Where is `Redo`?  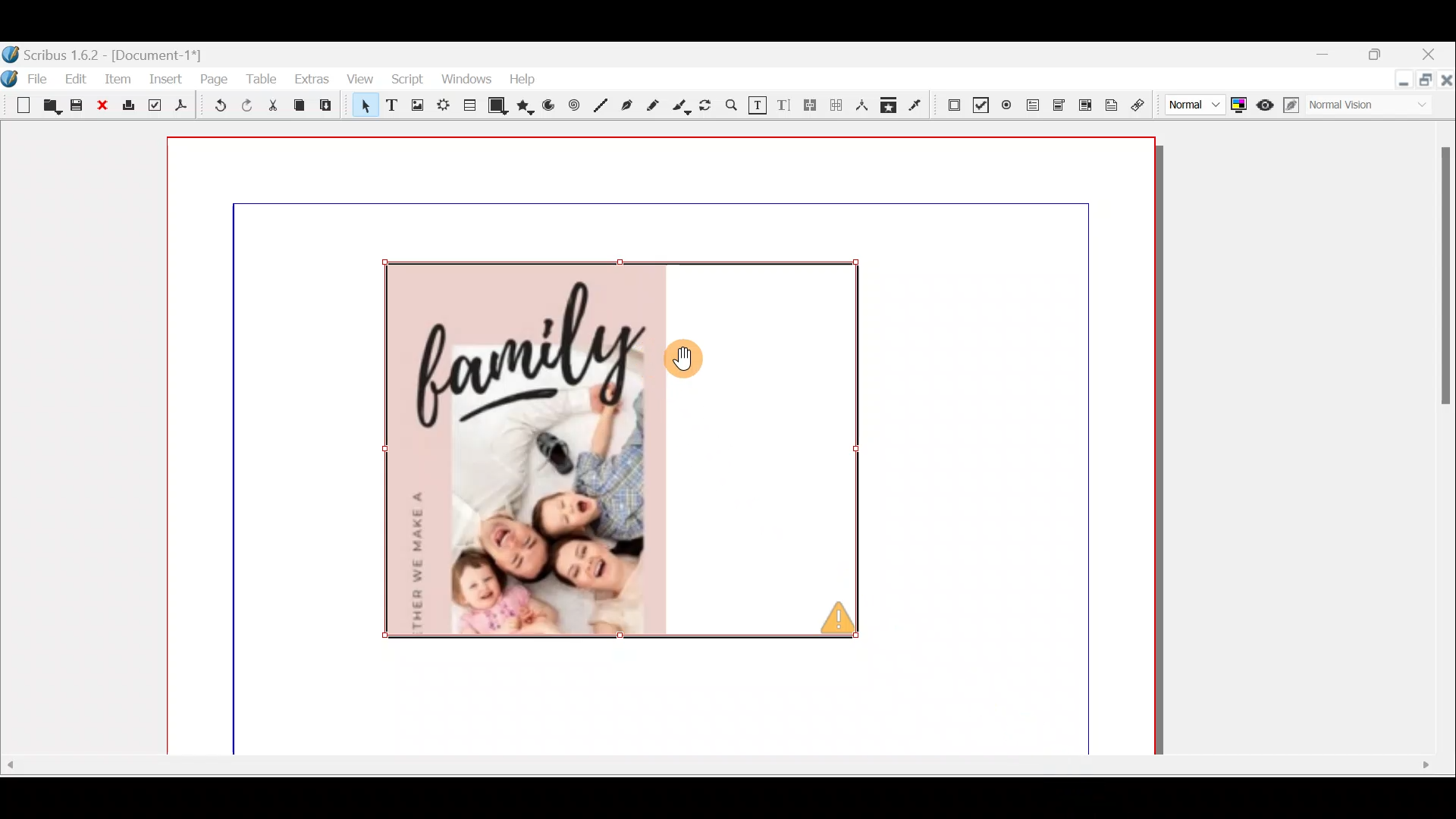 Redo is located at coordinates (246, 105).